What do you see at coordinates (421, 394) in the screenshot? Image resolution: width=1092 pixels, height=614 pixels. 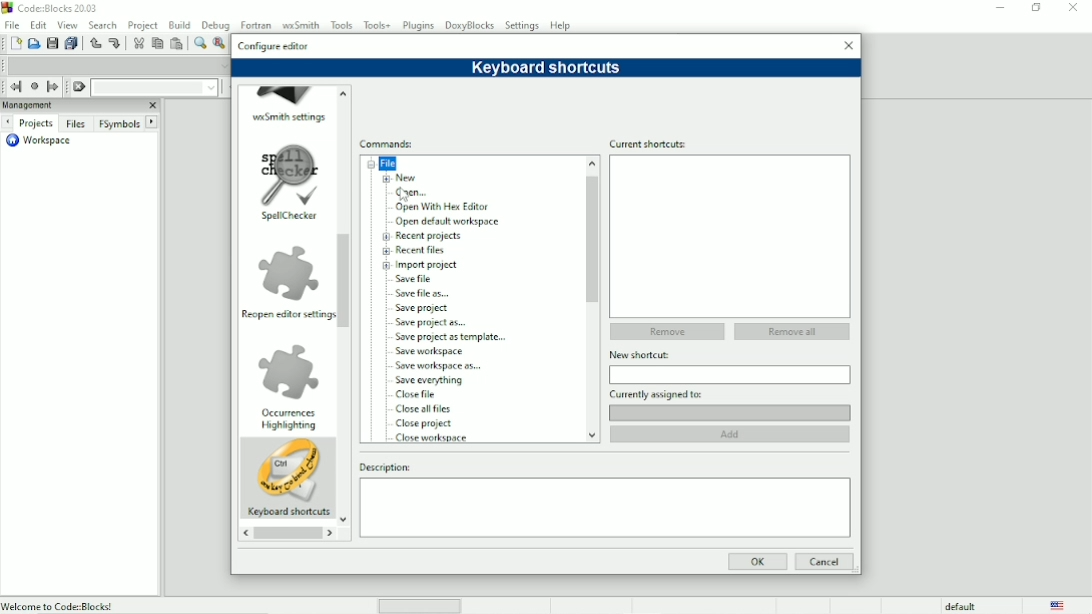 I see `Close file` at bounding box center [421, 394].